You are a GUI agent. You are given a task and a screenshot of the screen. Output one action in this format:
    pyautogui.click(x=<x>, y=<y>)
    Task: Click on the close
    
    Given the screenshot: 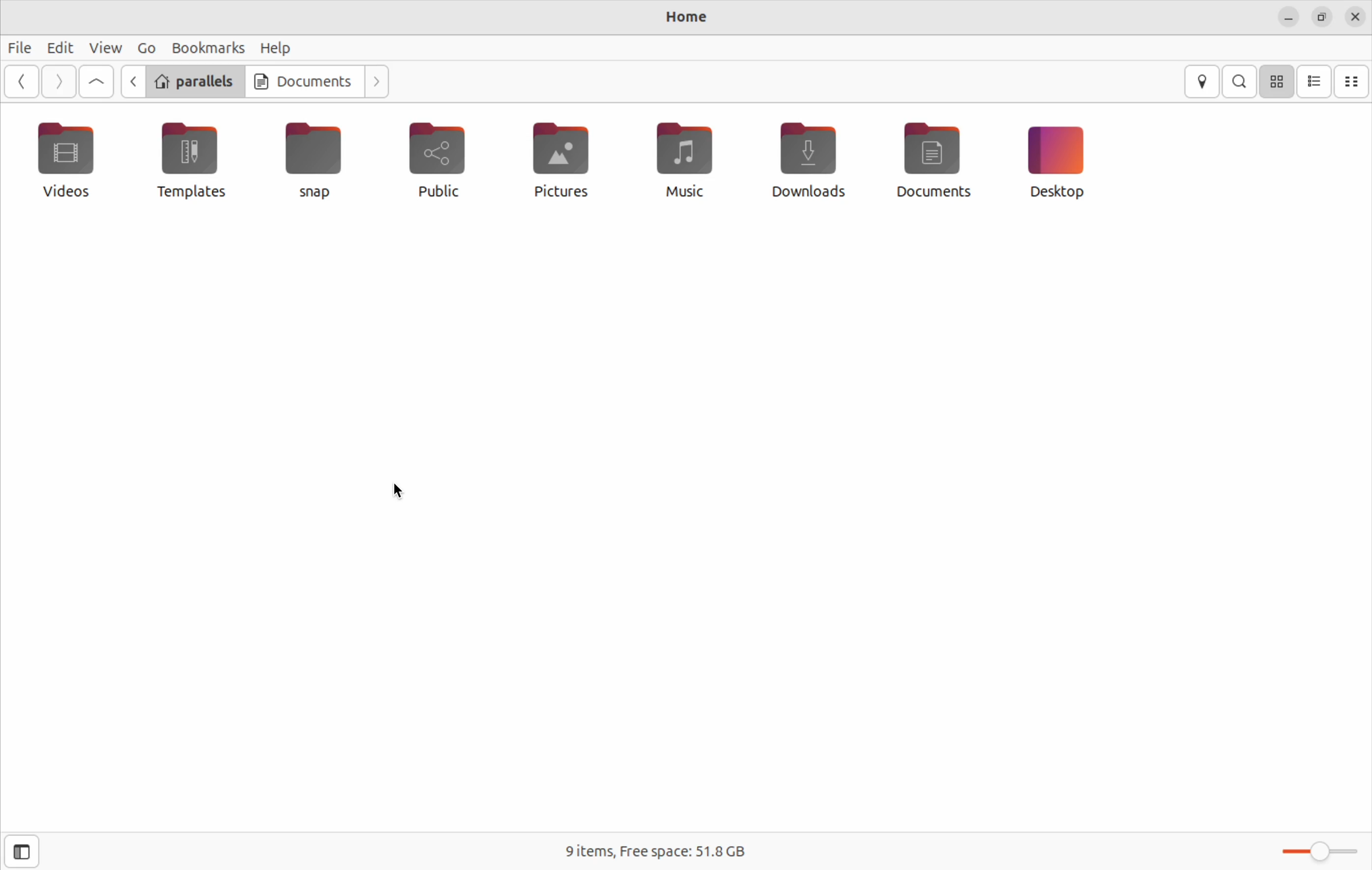 What is the action you would take?
    pyautogui.click(x=1355, y=17)
    